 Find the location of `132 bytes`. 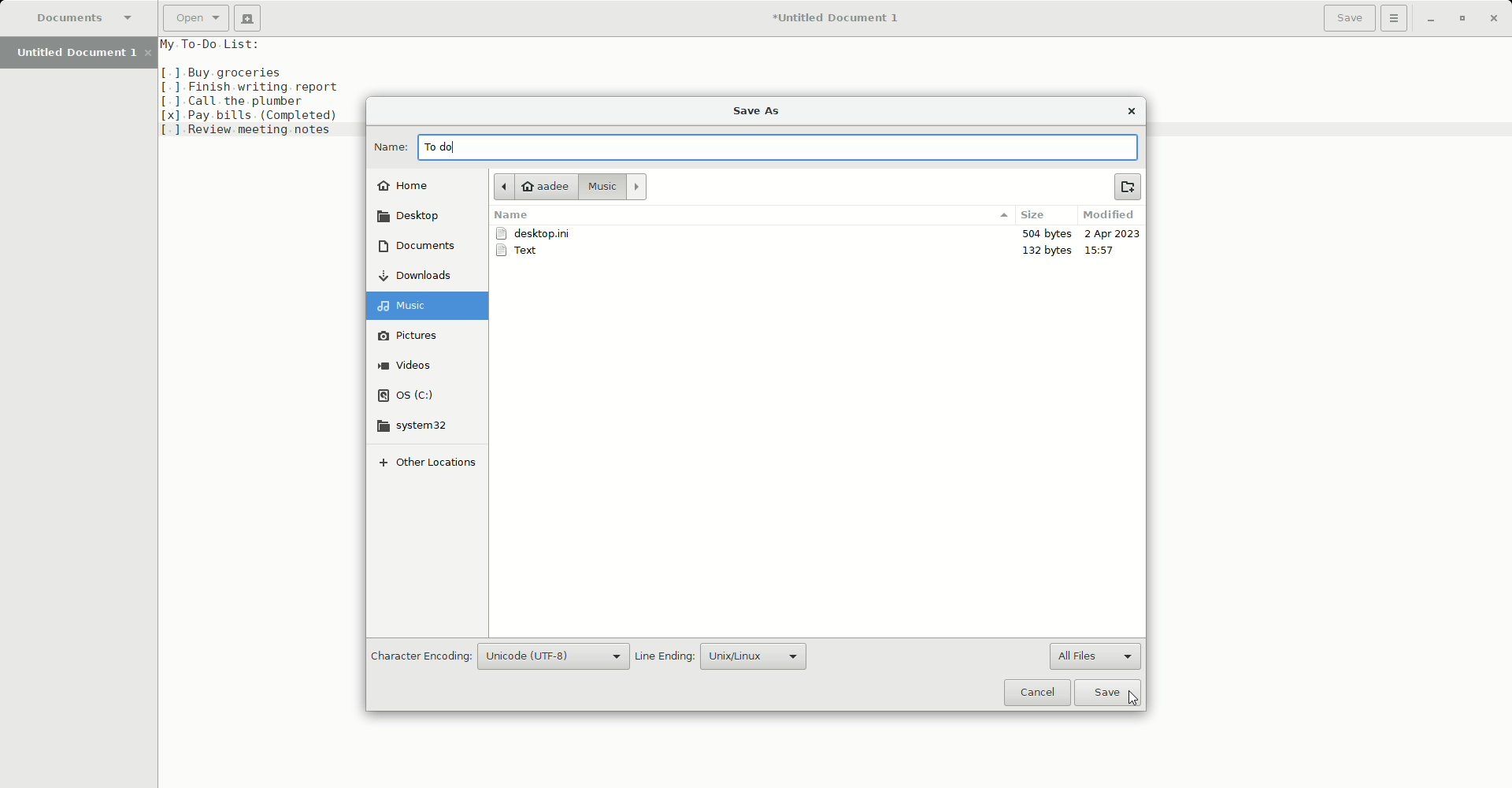

132 bytes is located at coordinates (1049, 250).